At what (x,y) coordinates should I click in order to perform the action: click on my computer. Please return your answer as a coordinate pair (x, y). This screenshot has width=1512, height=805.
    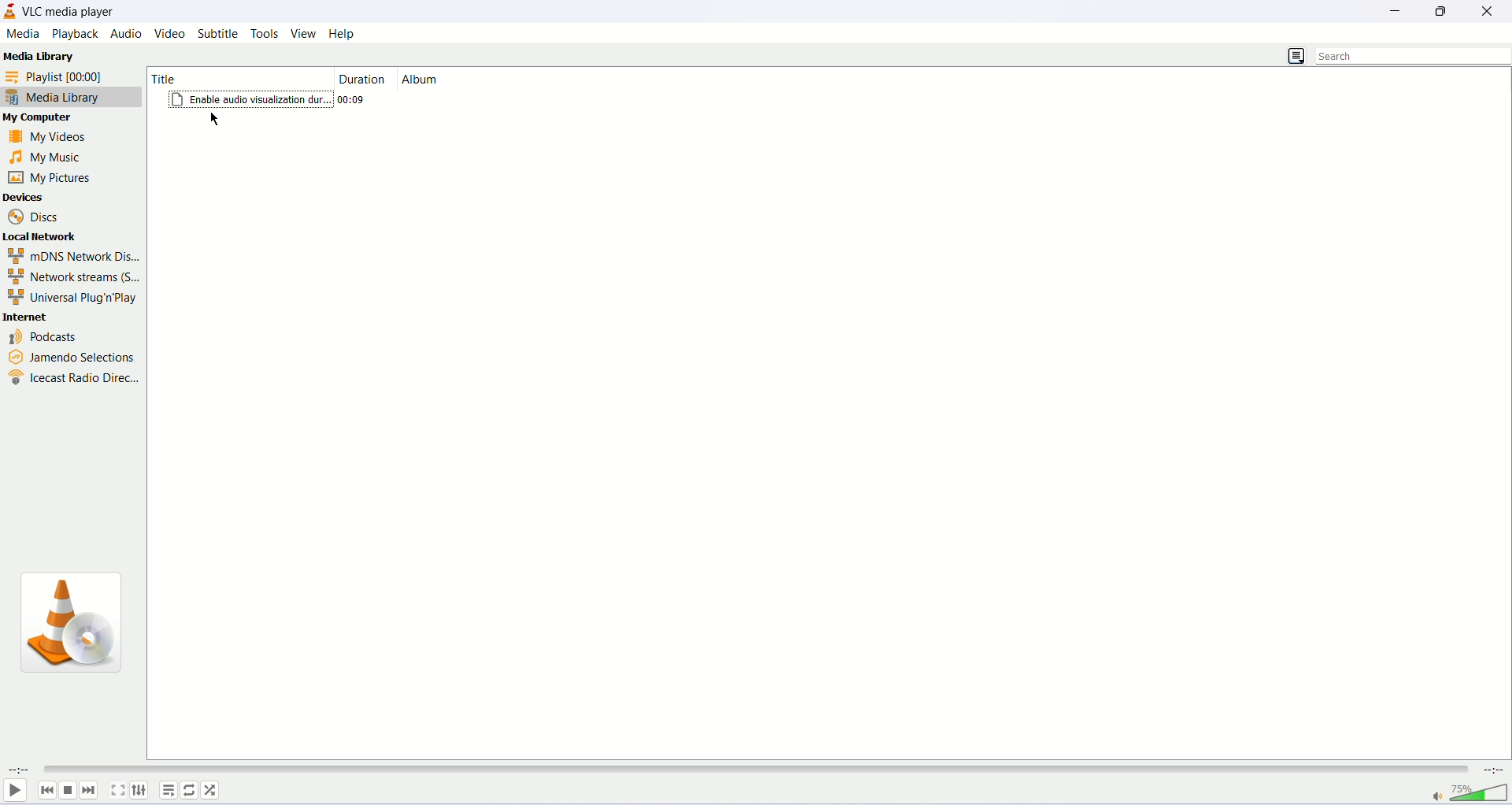
    Looking at the image, I should click on (51, 119).